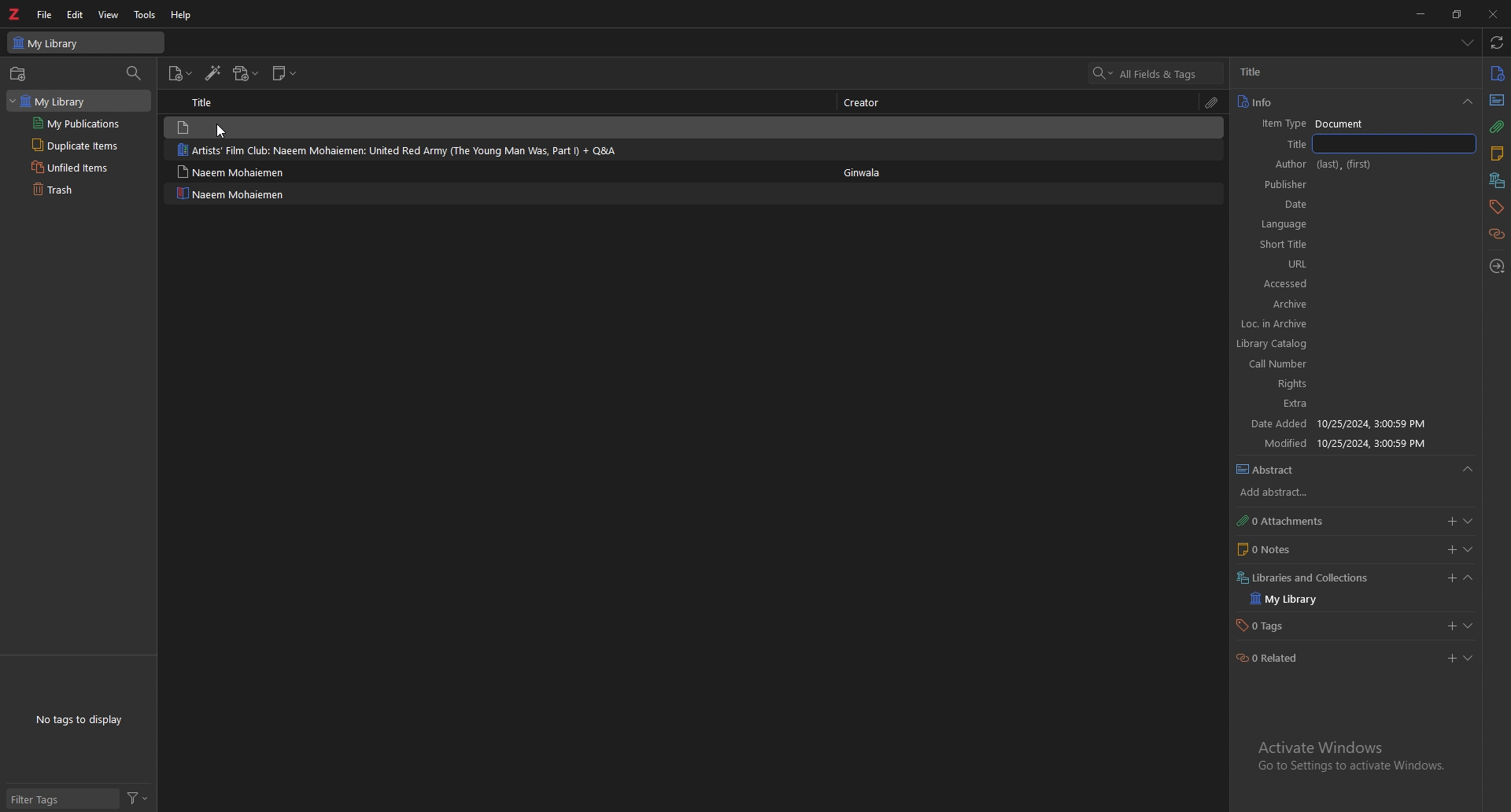 The height and width of the screenshot is (812, 1511). I want to click on expand section, so click(1471, 548).